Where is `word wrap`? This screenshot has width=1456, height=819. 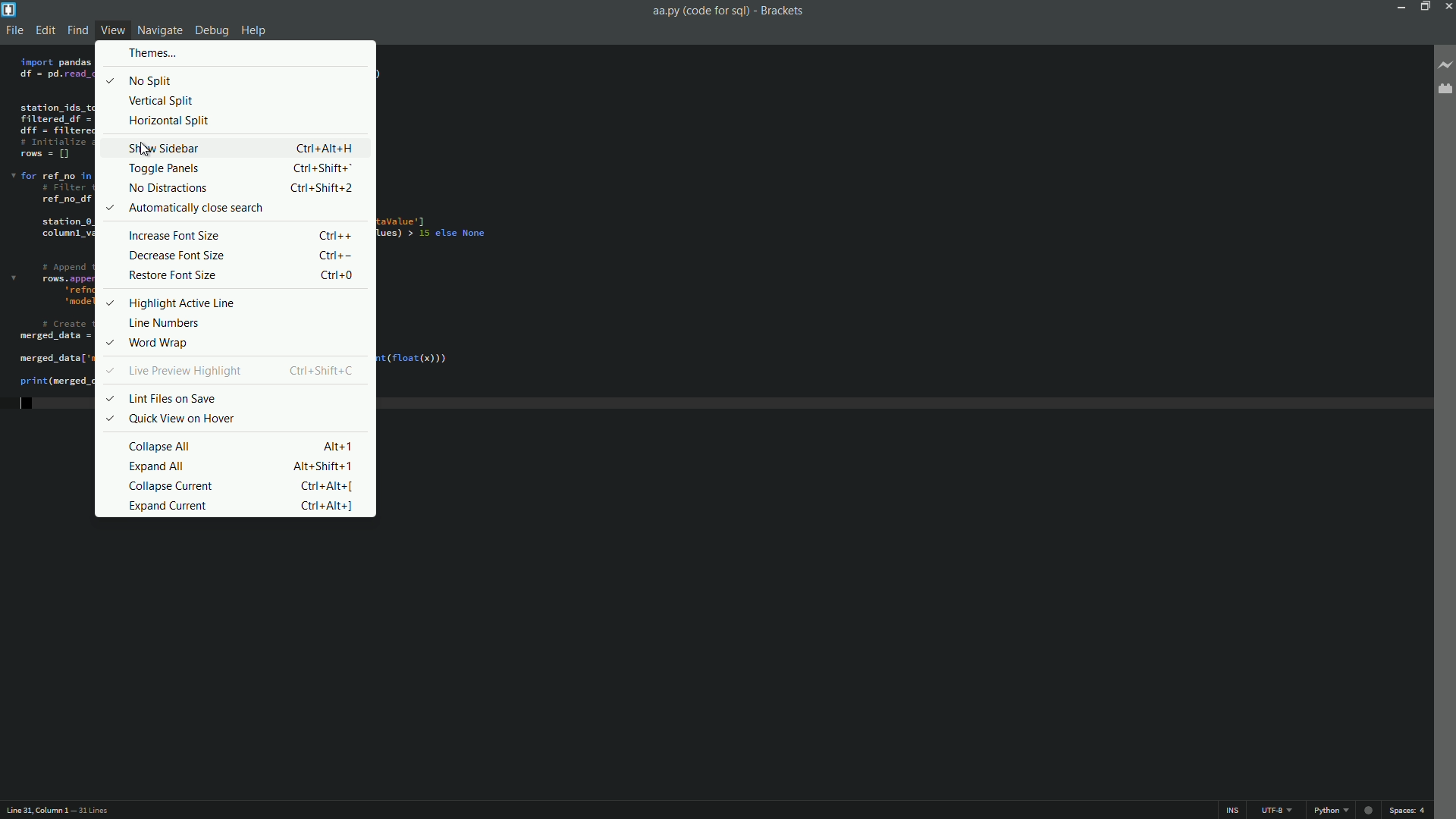
word wrap is located at coordinates (145, 344).